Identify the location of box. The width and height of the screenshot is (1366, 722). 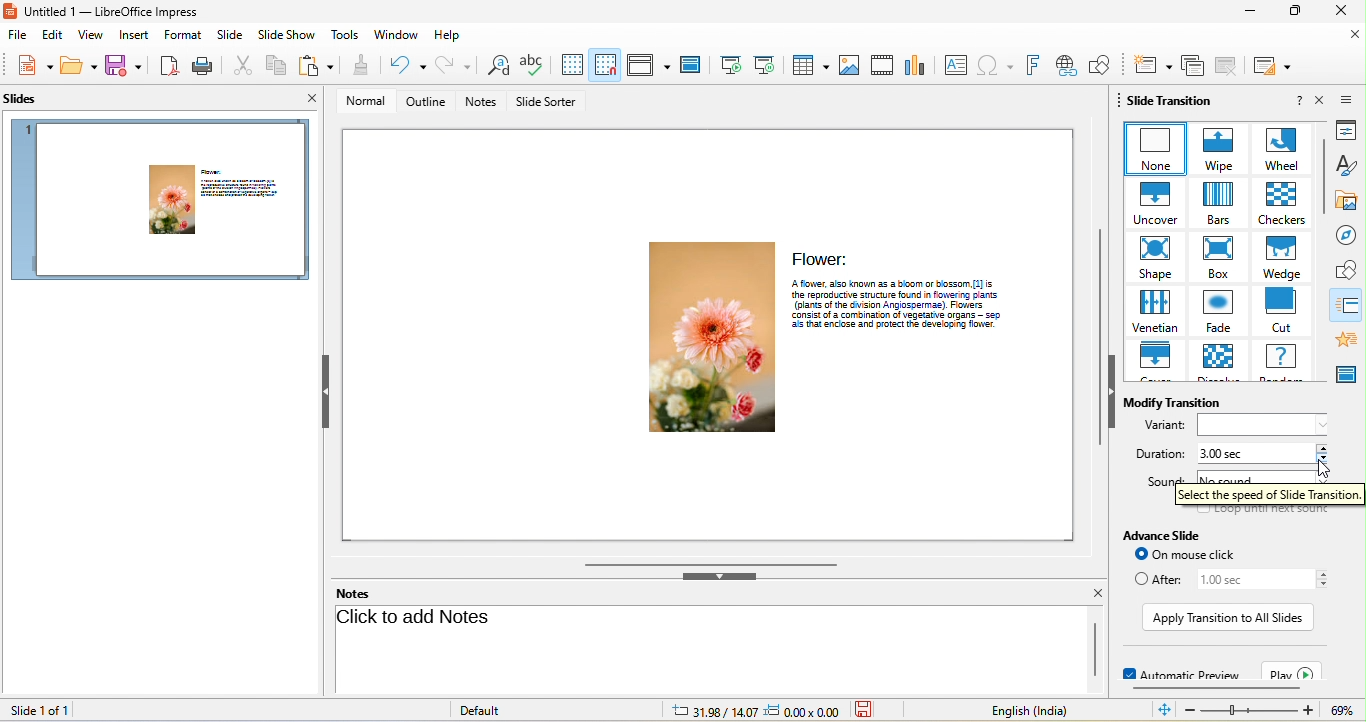
(1218, 259).